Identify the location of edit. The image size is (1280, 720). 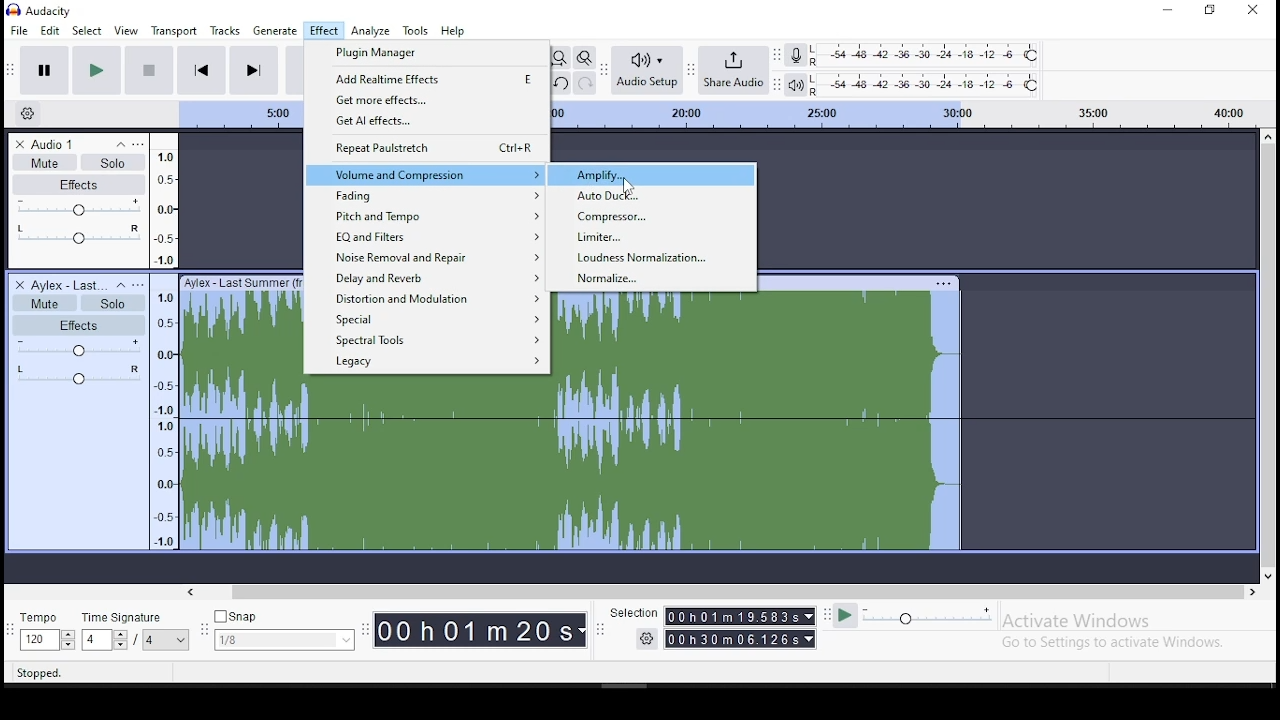
(50, 31).